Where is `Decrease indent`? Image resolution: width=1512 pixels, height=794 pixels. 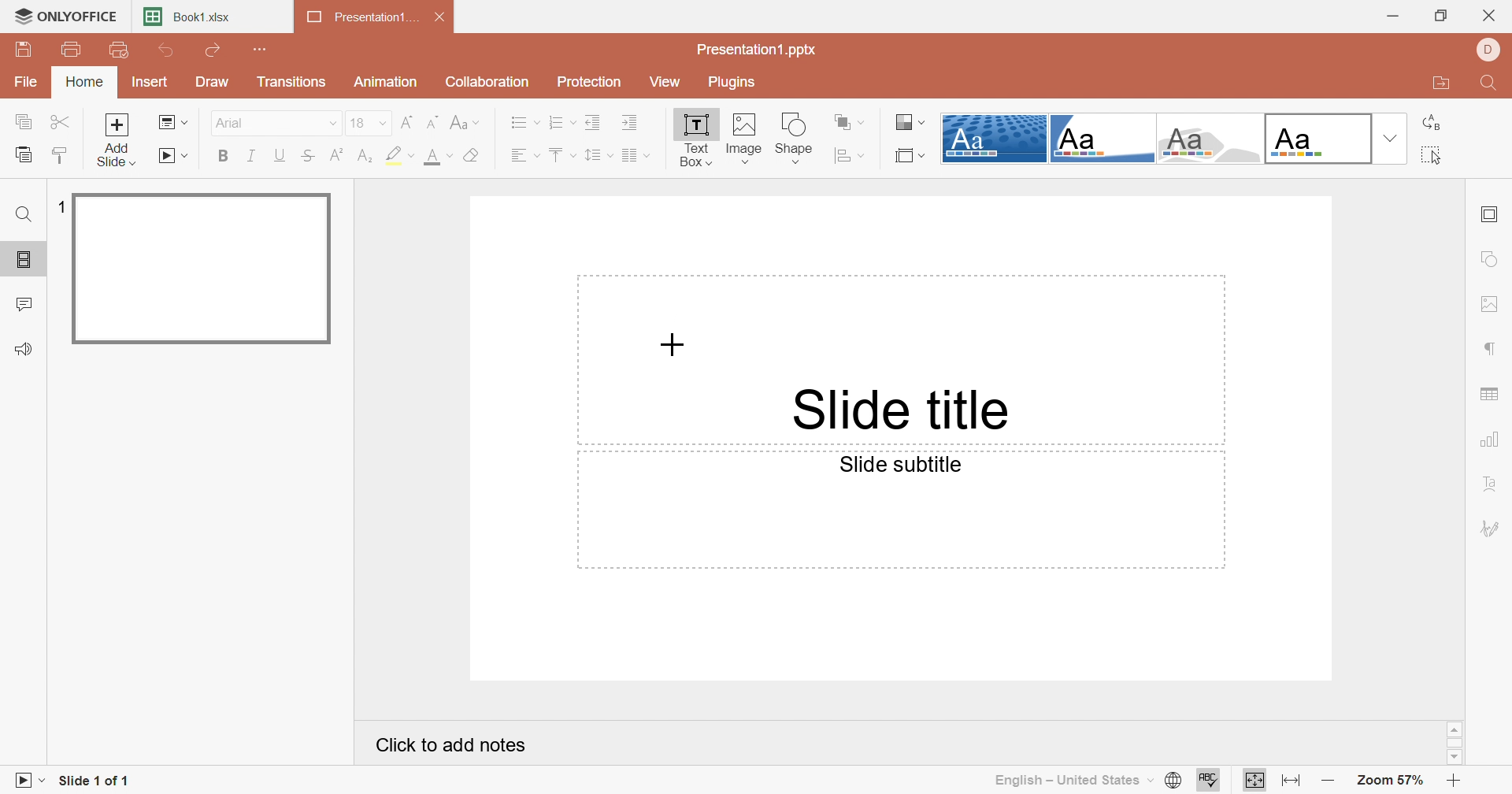
Decrease indent is located at coordinates (591, 124).